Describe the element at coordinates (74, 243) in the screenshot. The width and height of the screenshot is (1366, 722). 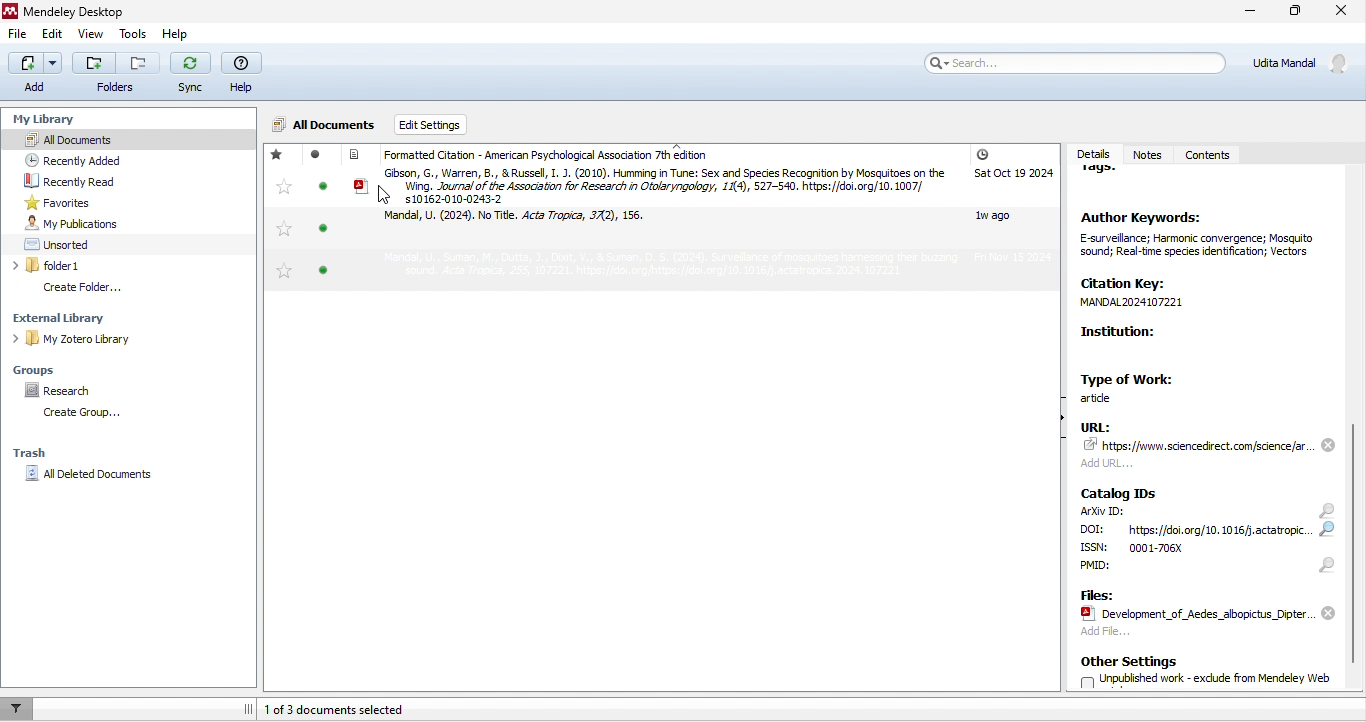
I see `unsorted` at that location.